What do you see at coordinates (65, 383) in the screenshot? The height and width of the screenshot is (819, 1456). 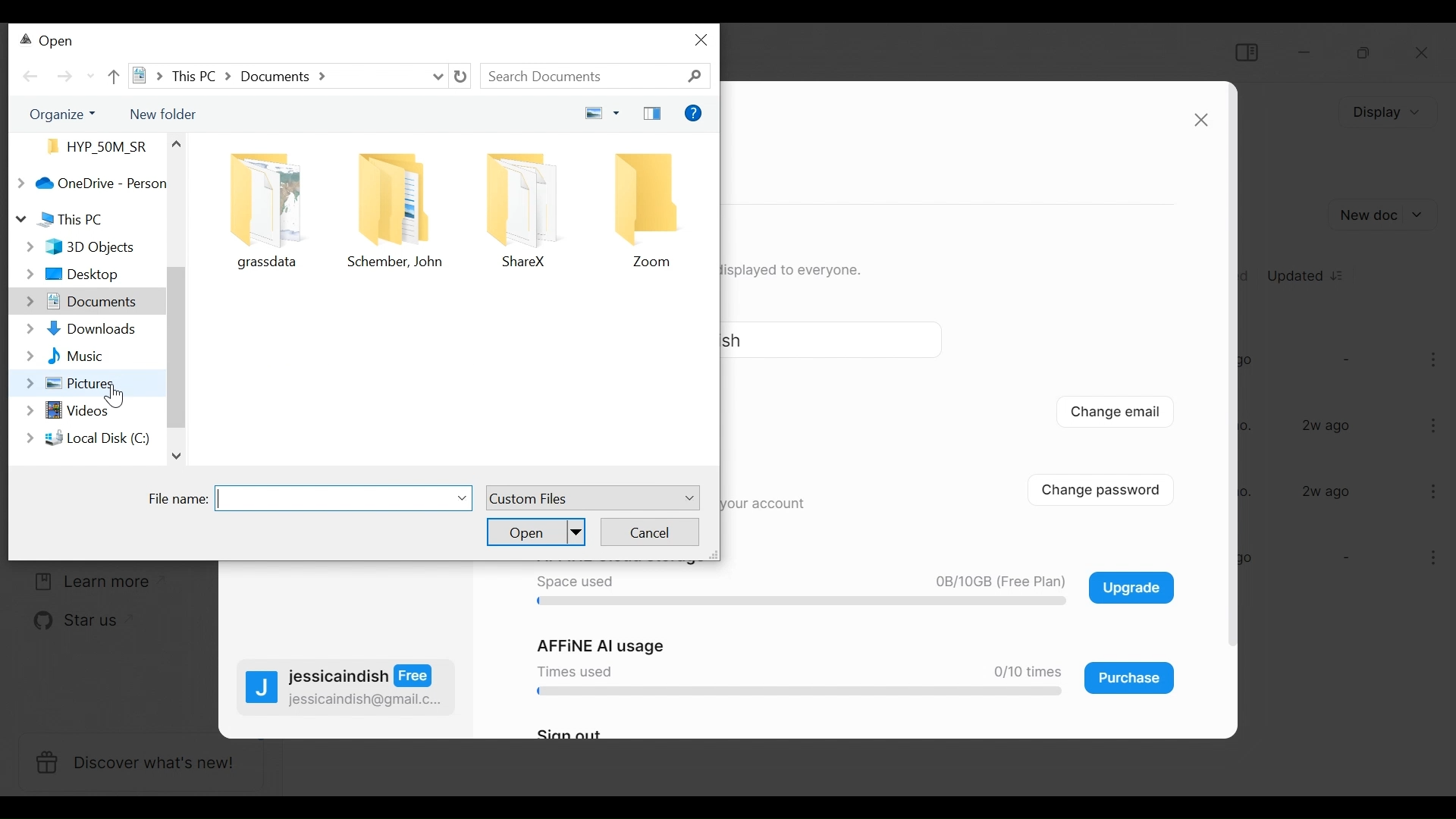 I see `Pictures` at bounding box center [65, 383].